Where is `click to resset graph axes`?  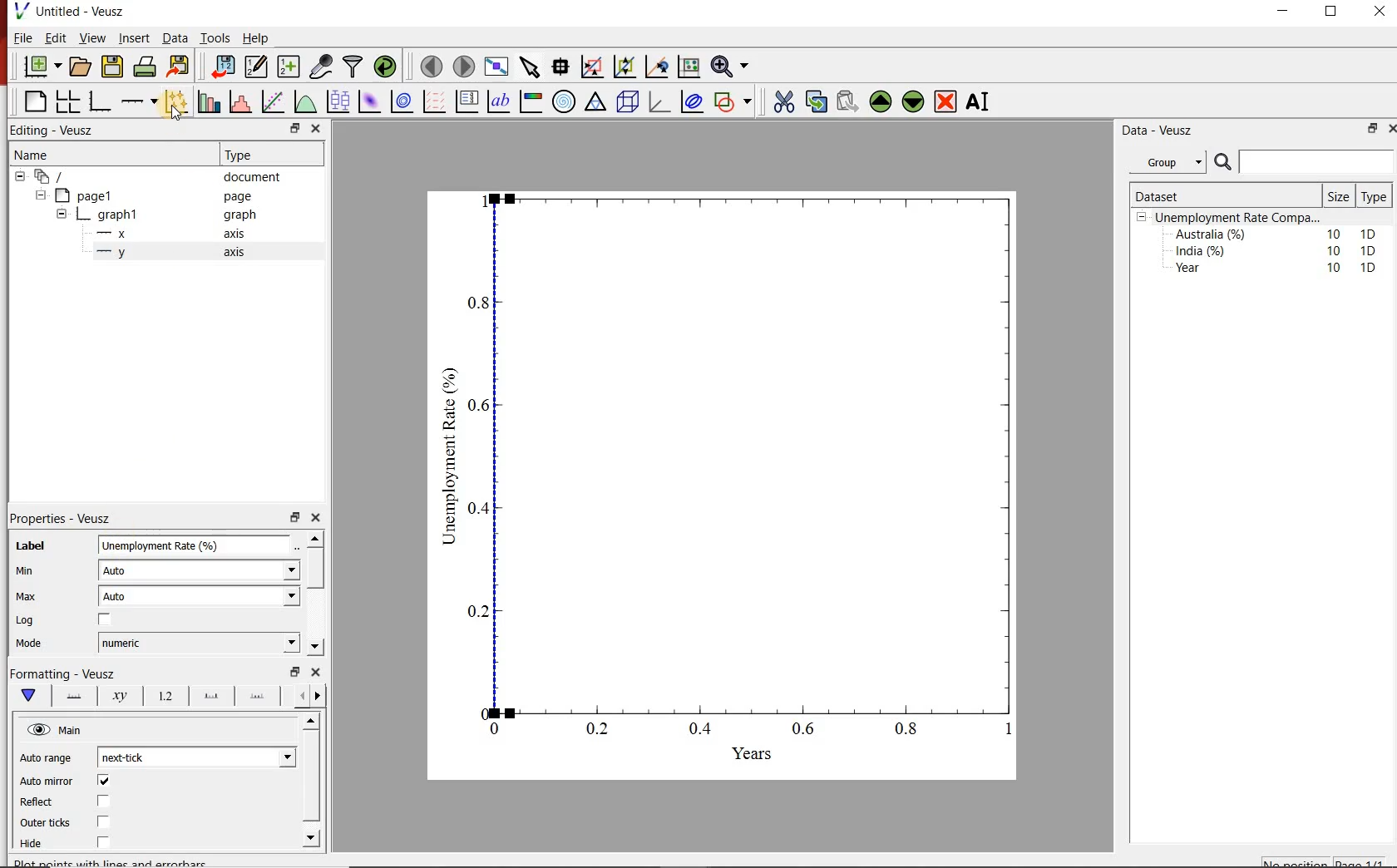 click to resset graph axes is located at coordinates (689, 65).